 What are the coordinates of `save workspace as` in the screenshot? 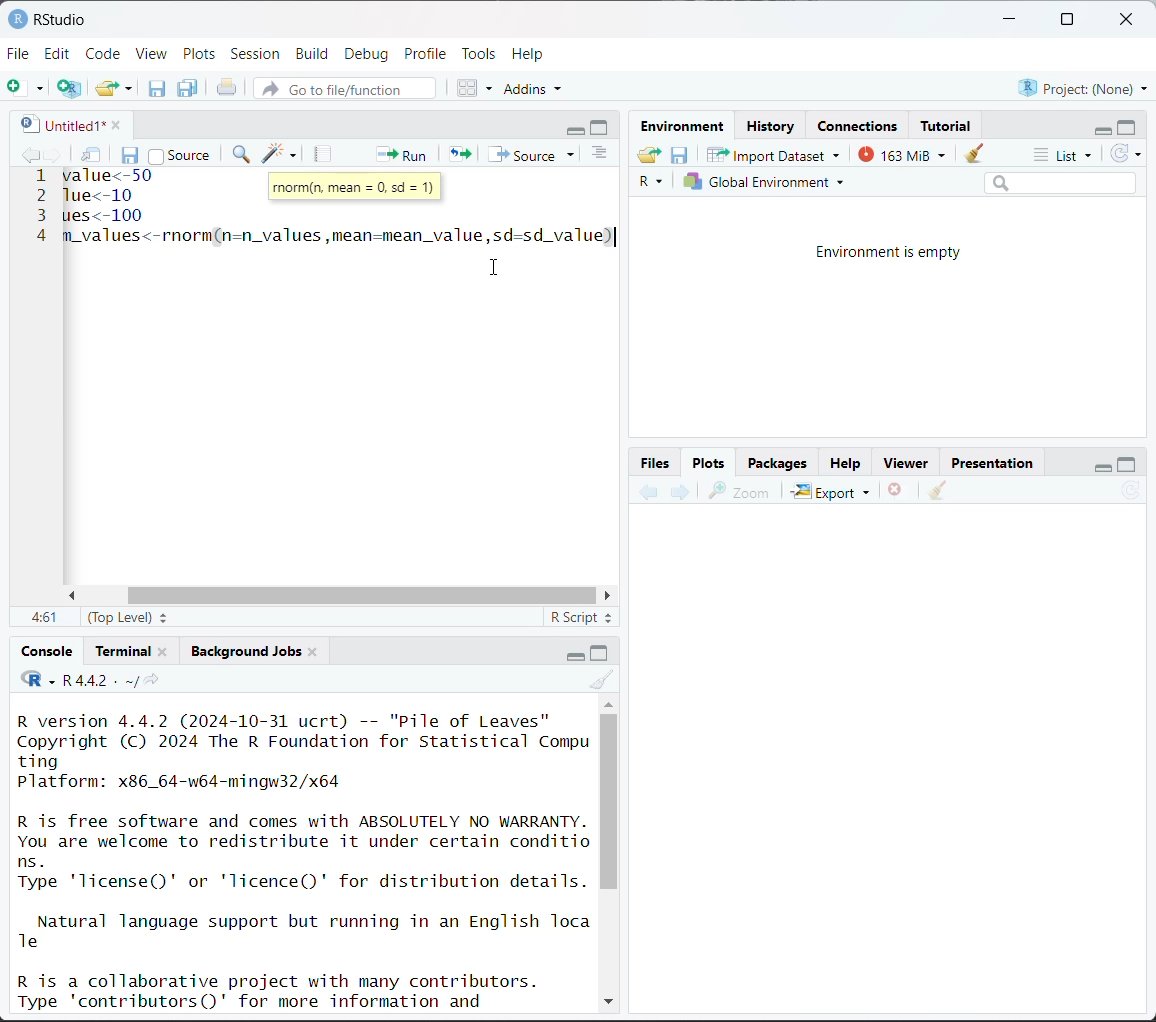 It's located at (680, 156).